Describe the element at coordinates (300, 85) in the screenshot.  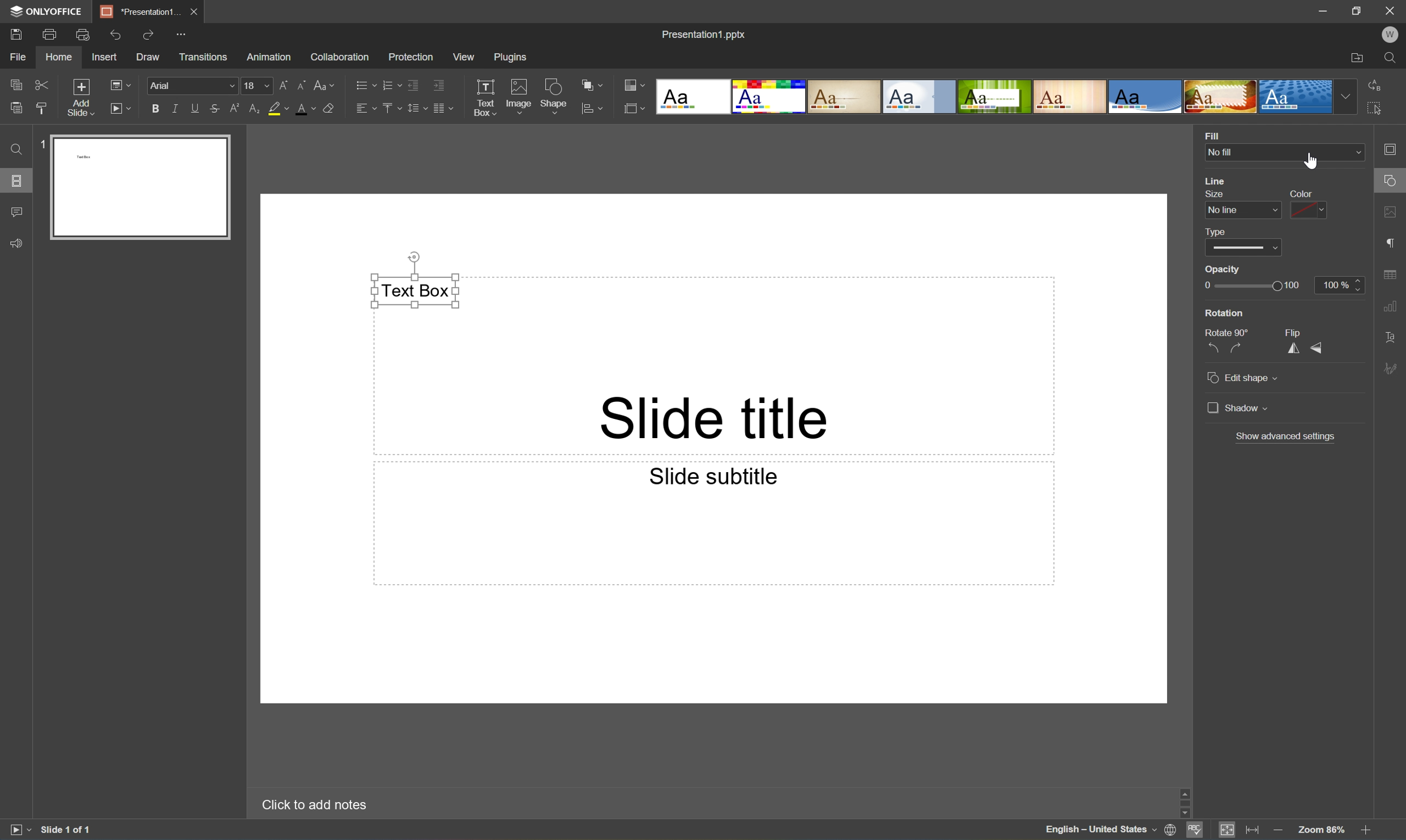
I see `Decrement font size` at that location.